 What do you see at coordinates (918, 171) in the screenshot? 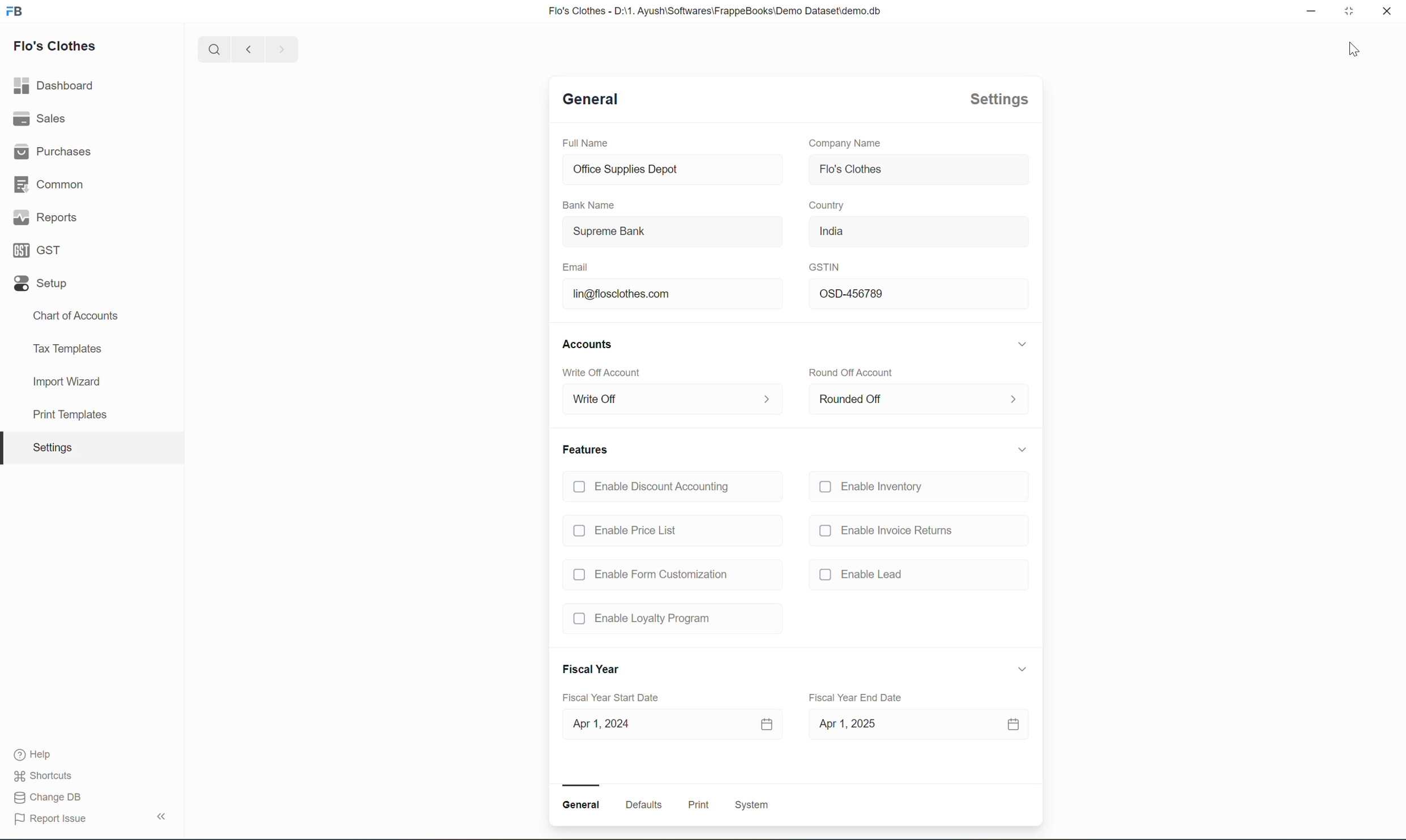
I see `Flo's Clothes` at bounding box center [918, 171].